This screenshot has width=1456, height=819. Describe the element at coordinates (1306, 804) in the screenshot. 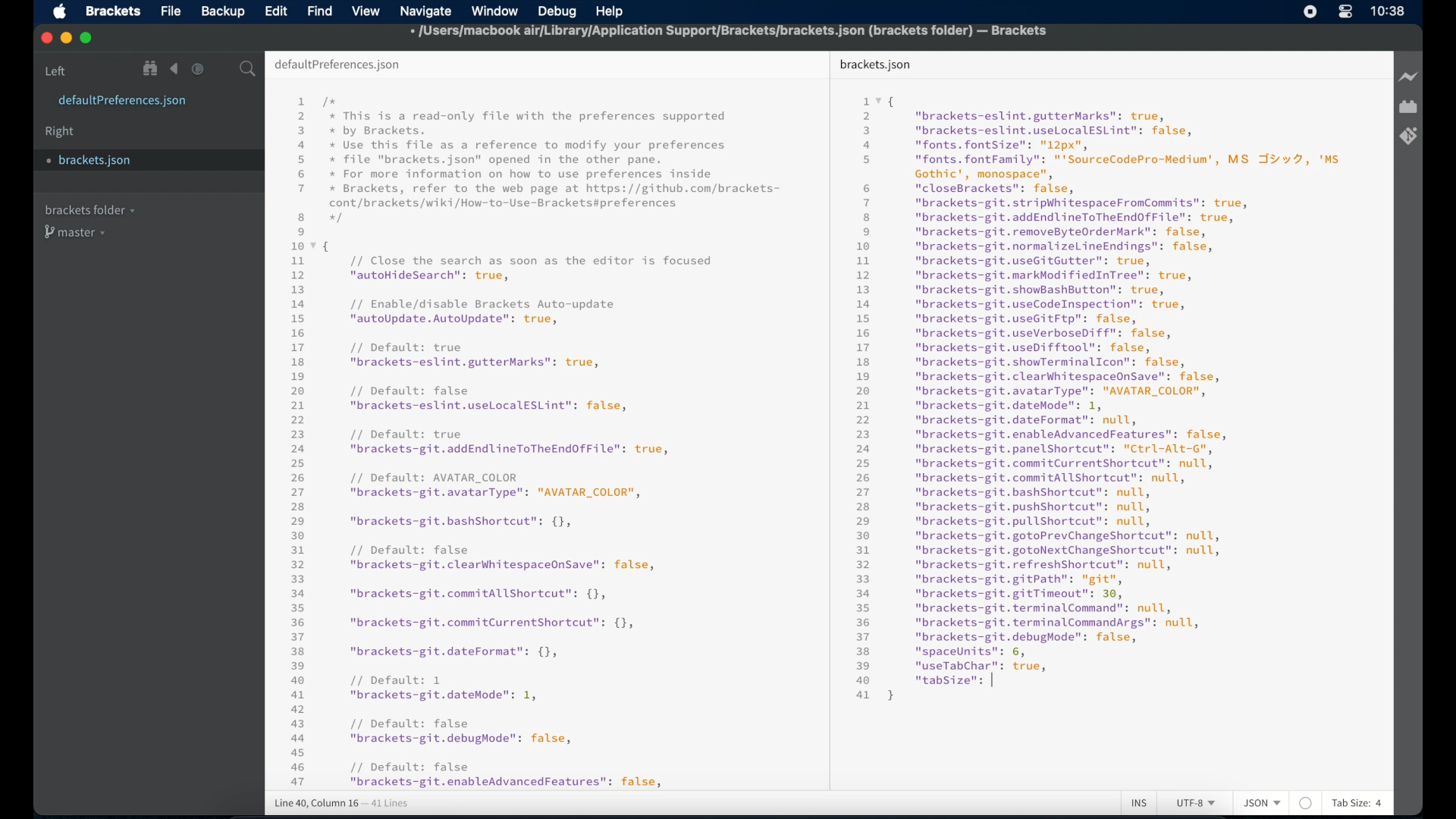

I see `no linter available for json` at that location.